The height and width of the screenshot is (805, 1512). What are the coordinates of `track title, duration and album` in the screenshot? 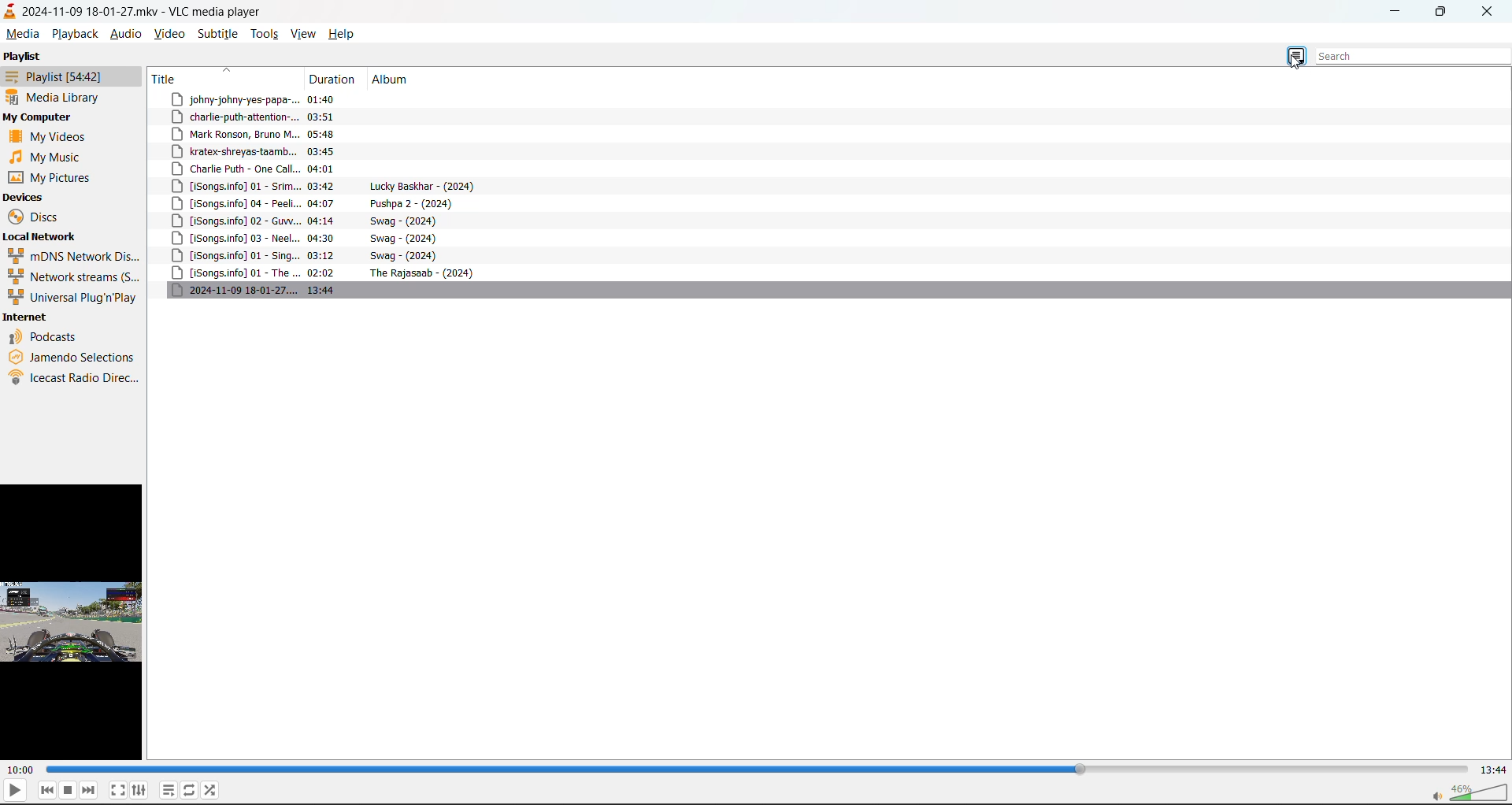 It's located at (313, 239).